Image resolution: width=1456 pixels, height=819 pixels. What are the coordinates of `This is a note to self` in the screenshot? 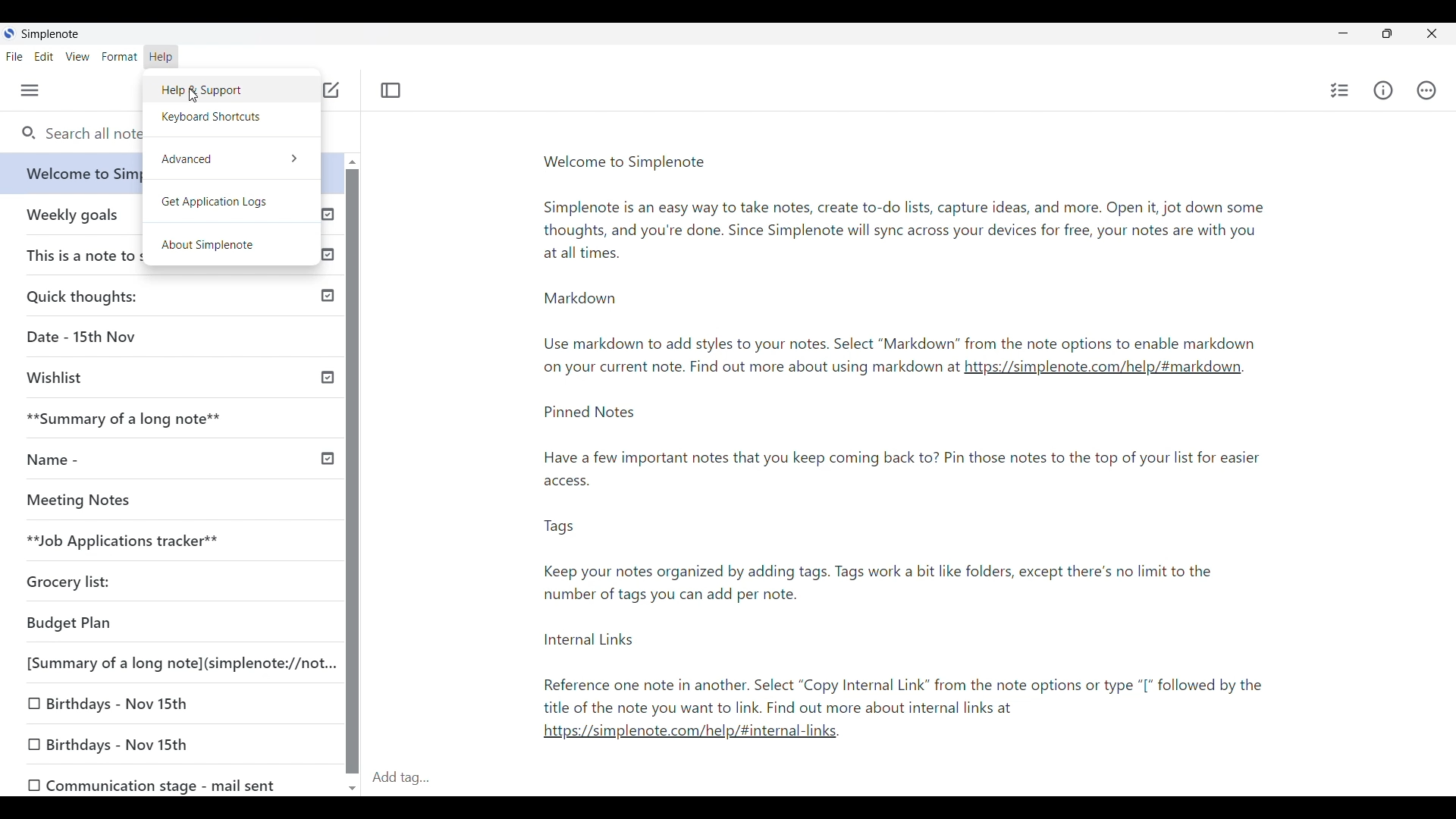 It's located at (74, 253).